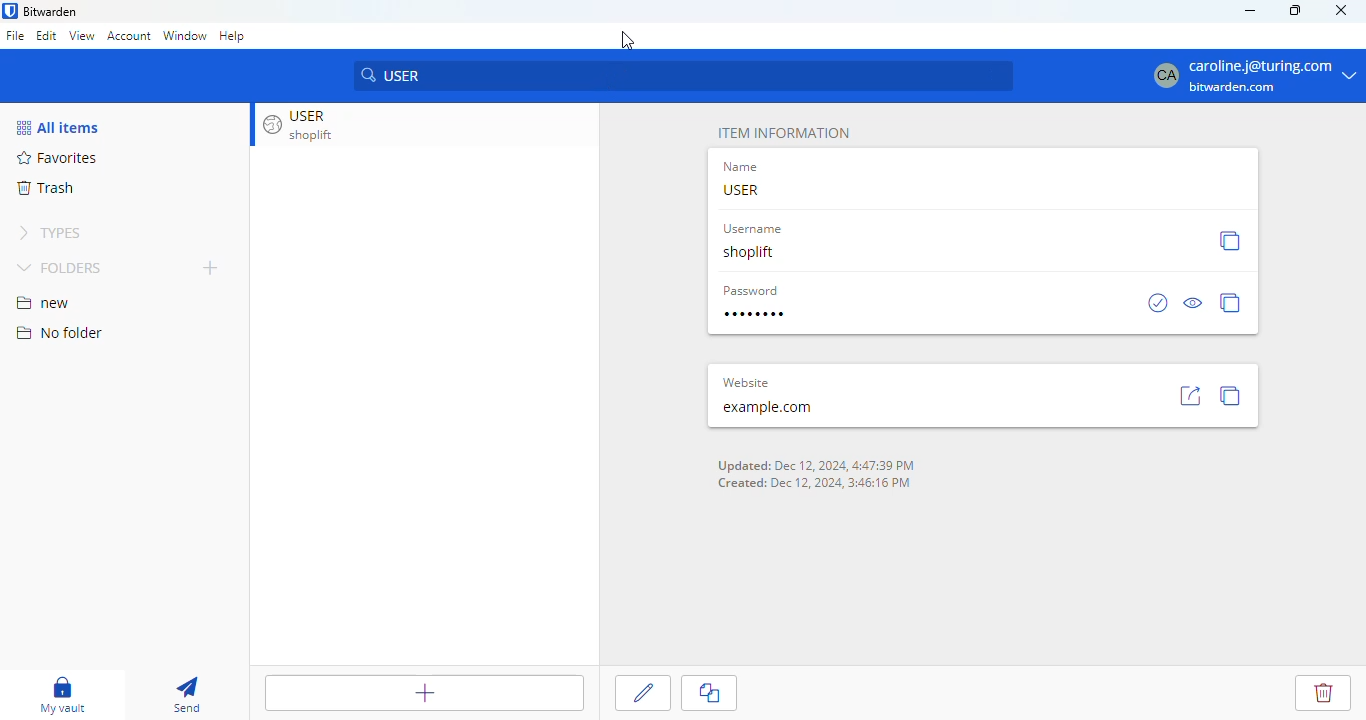  Describe the element at coordinates (629, 40) in the screenshot. I see `Cursor` at that location.